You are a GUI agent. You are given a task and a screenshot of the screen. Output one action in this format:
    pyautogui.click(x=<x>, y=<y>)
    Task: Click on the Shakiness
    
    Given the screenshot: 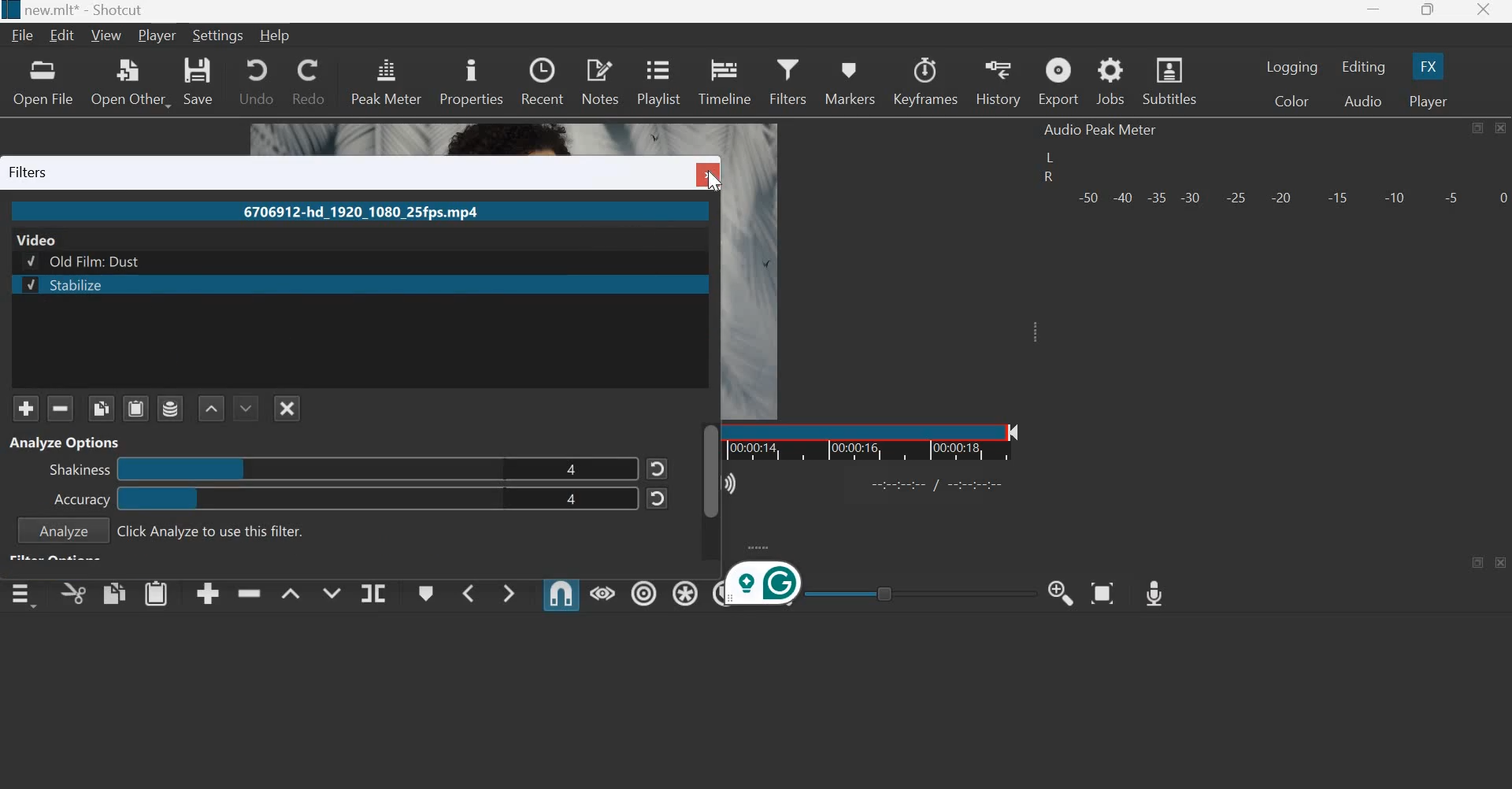 What is the action you would take?
    pyautogui.click(x=79, y=471)
    